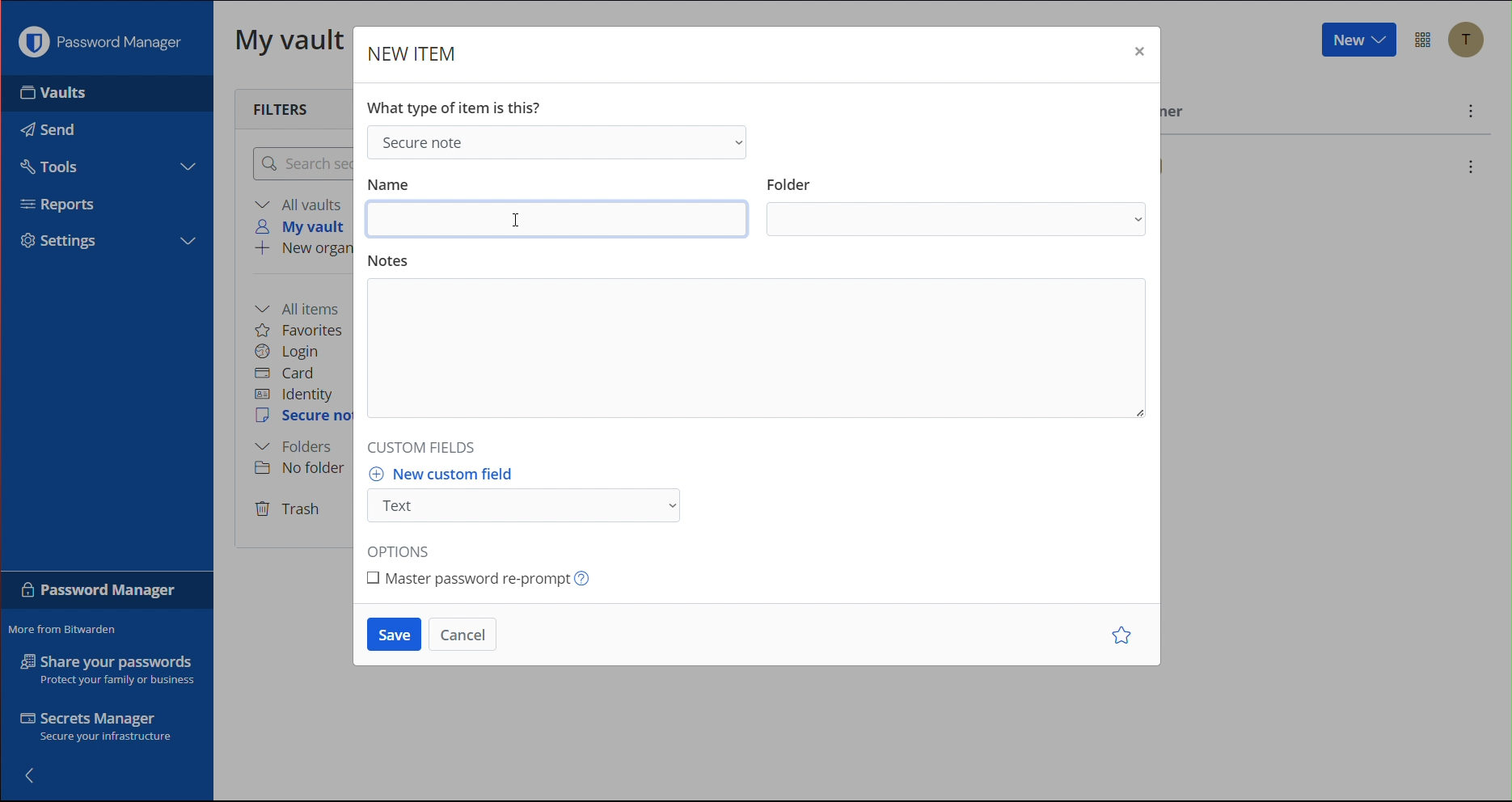 This screenshot has width=1512, height=802. What do you see at coordinates (459, 105) in the screenshot?
I see `What type of item is this?` at bounding box center [459, 105].